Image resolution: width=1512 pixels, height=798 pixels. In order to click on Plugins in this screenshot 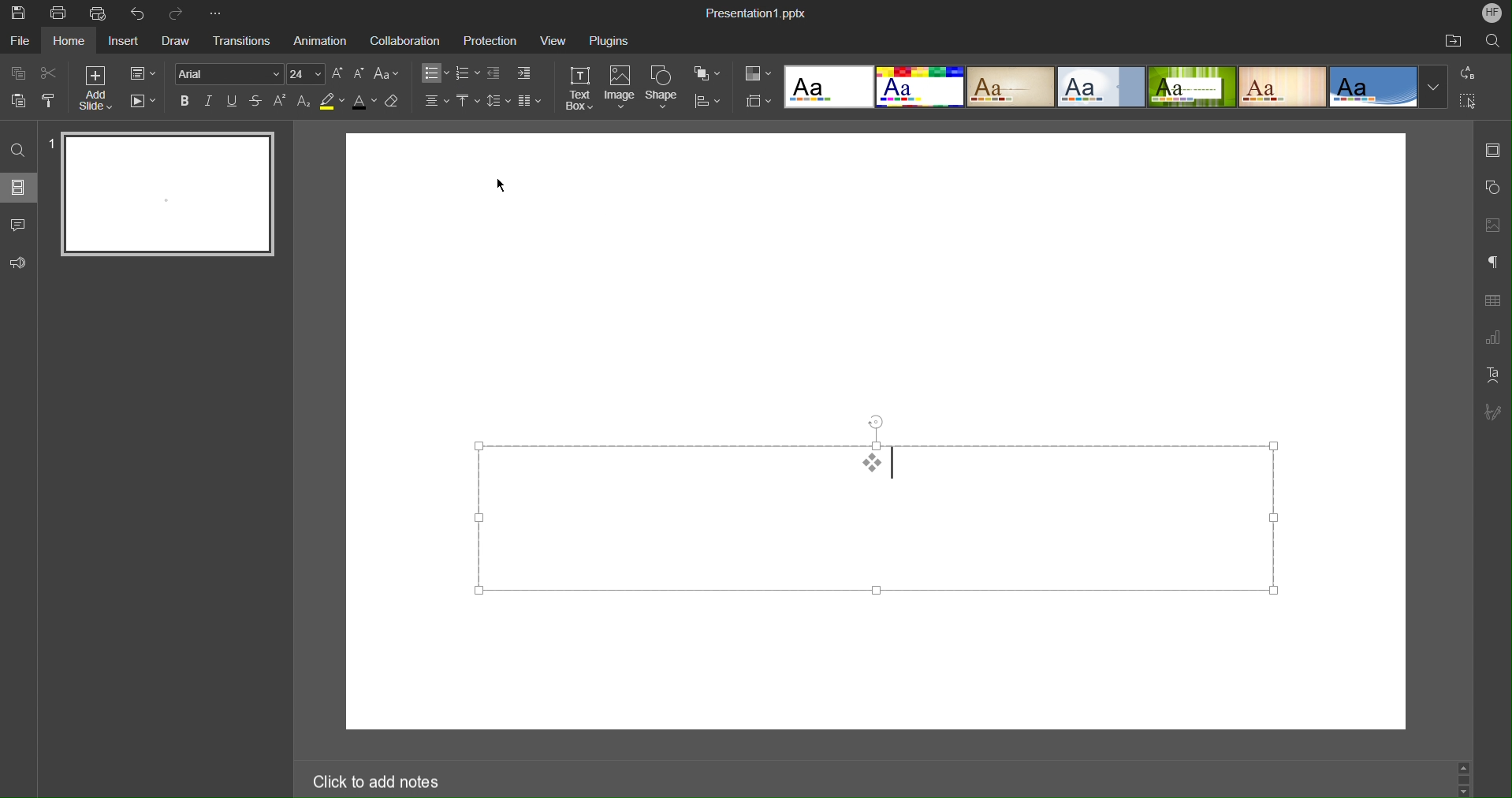, I will do `click(607, 40)`.